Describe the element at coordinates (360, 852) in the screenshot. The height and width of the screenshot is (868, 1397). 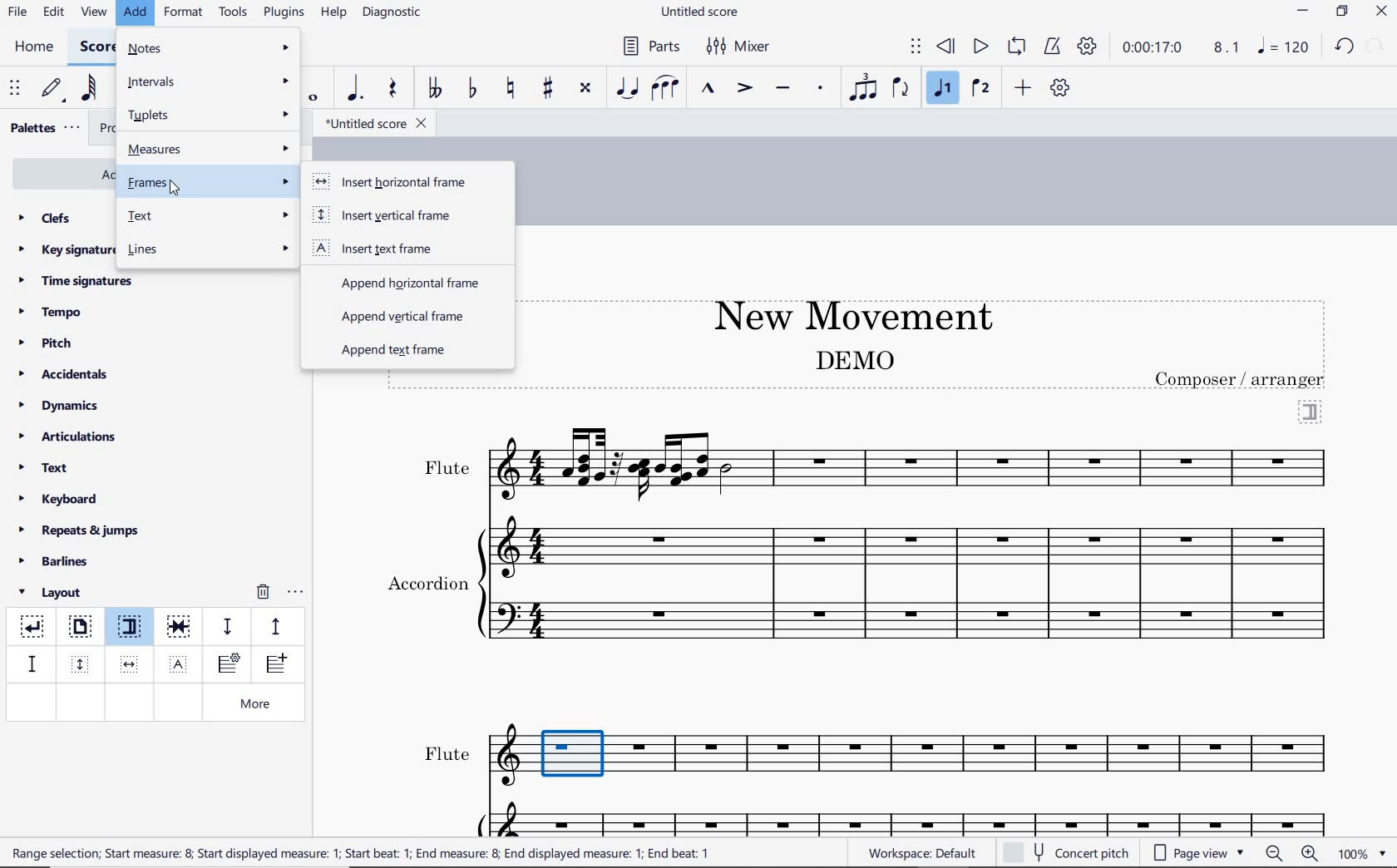
I see `text` at that location.